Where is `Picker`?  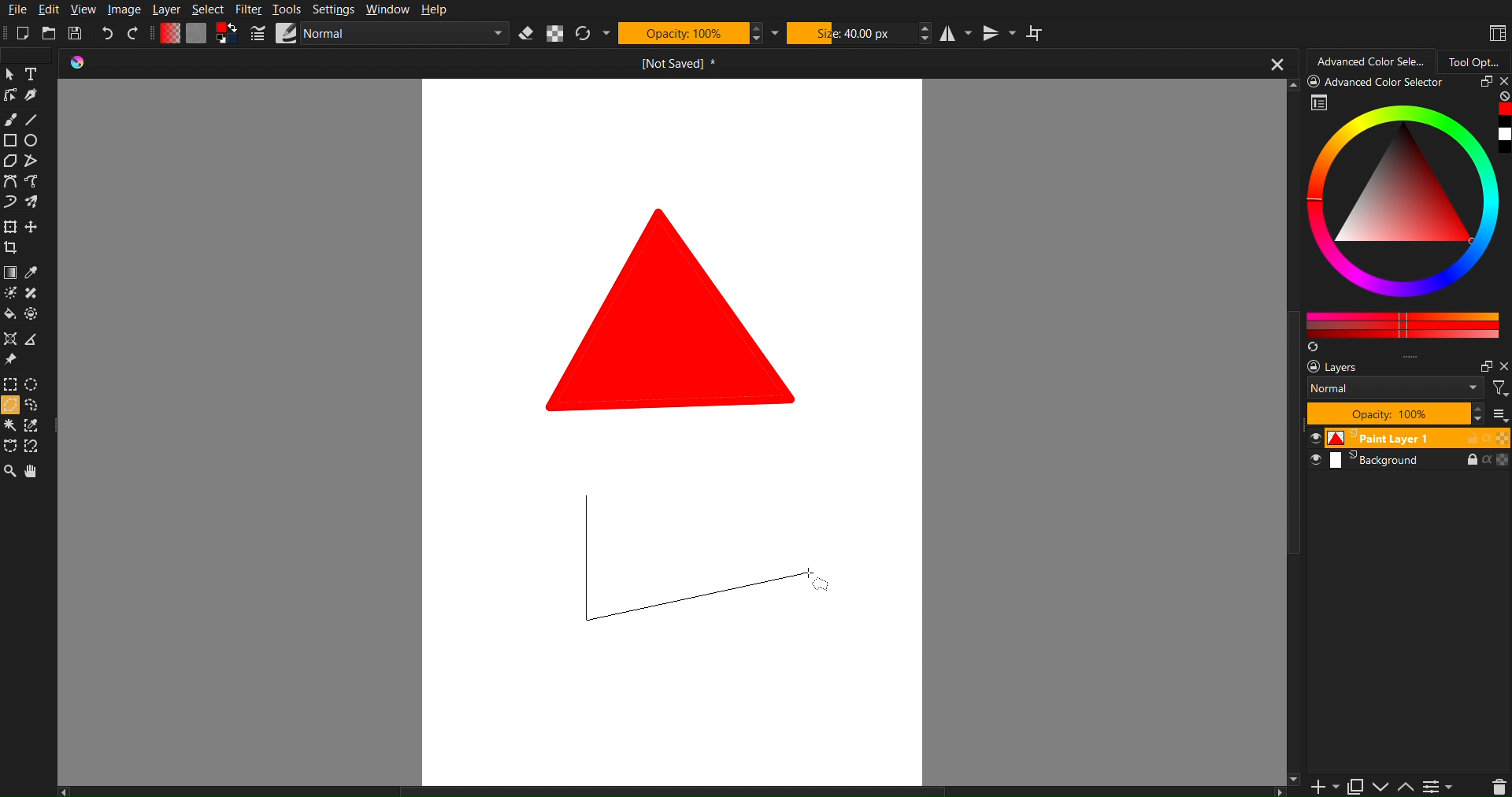 Picker is located at coordinates (9, 183).